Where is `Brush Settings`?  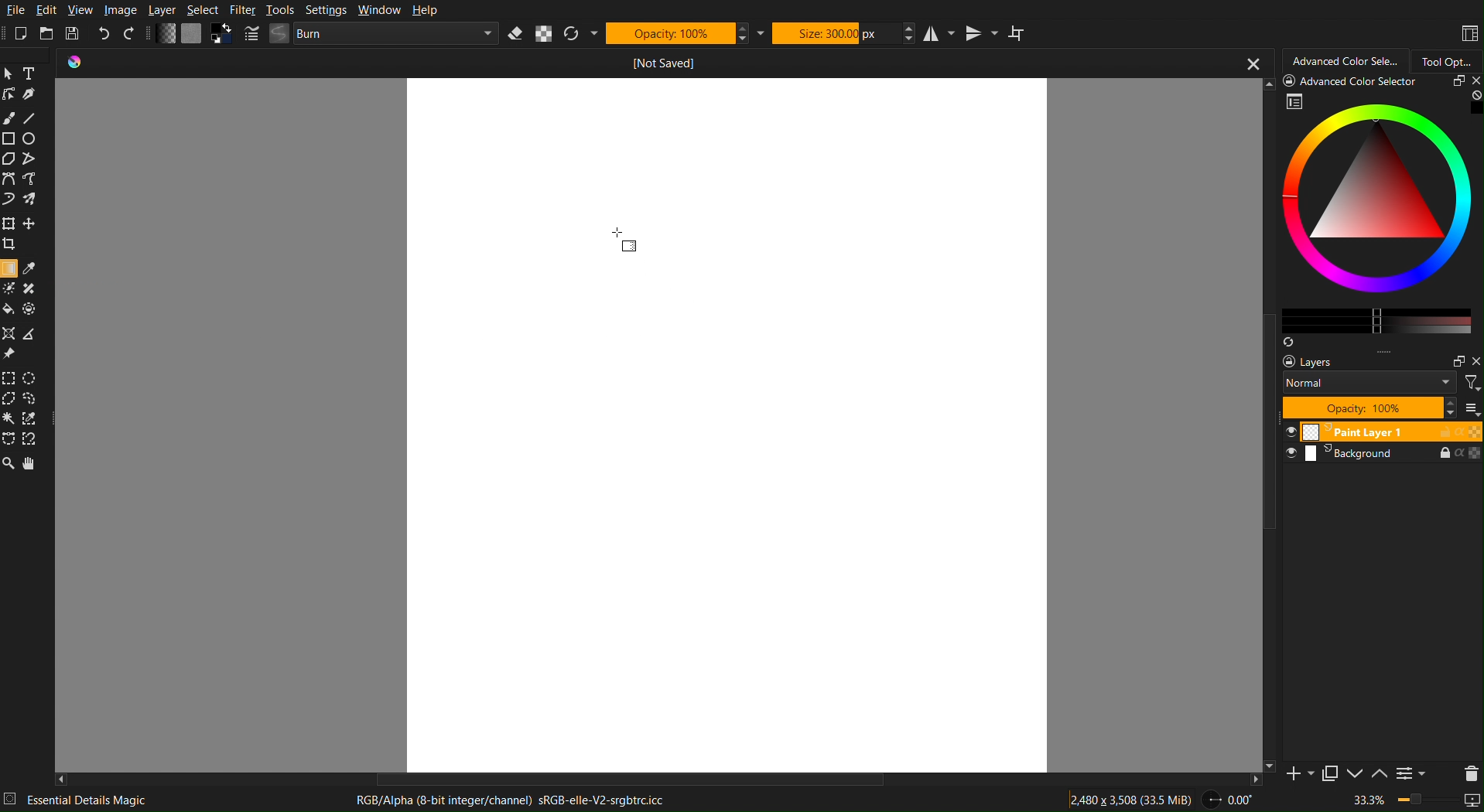 Brush Settings is located at coordinates (373, 34).